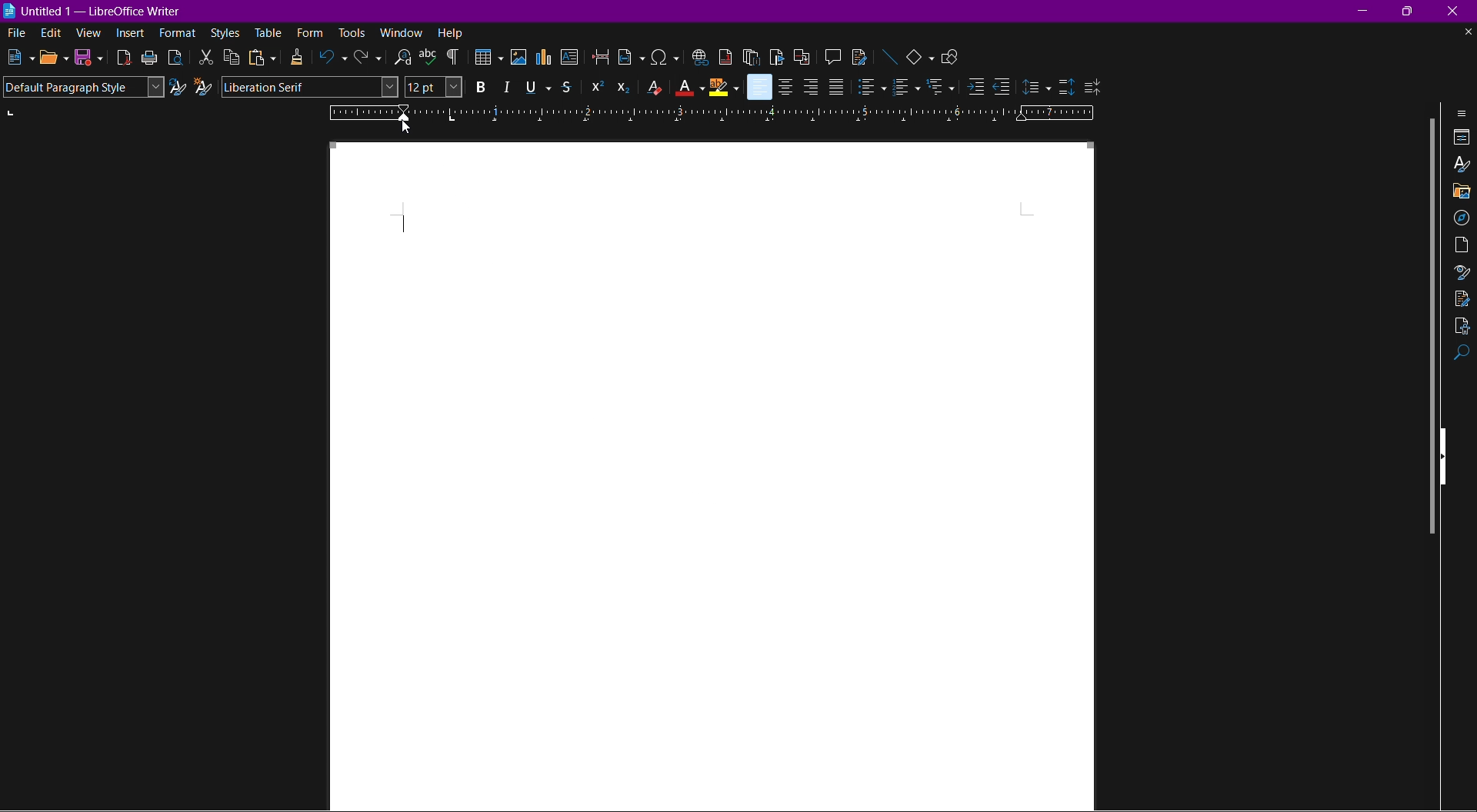 Image resolution: width=1477 pixels, height=812 pixels. What do you see at coordinates (452, 32) in the screenshot?
I see `Help` at bounding box center [452, 32].